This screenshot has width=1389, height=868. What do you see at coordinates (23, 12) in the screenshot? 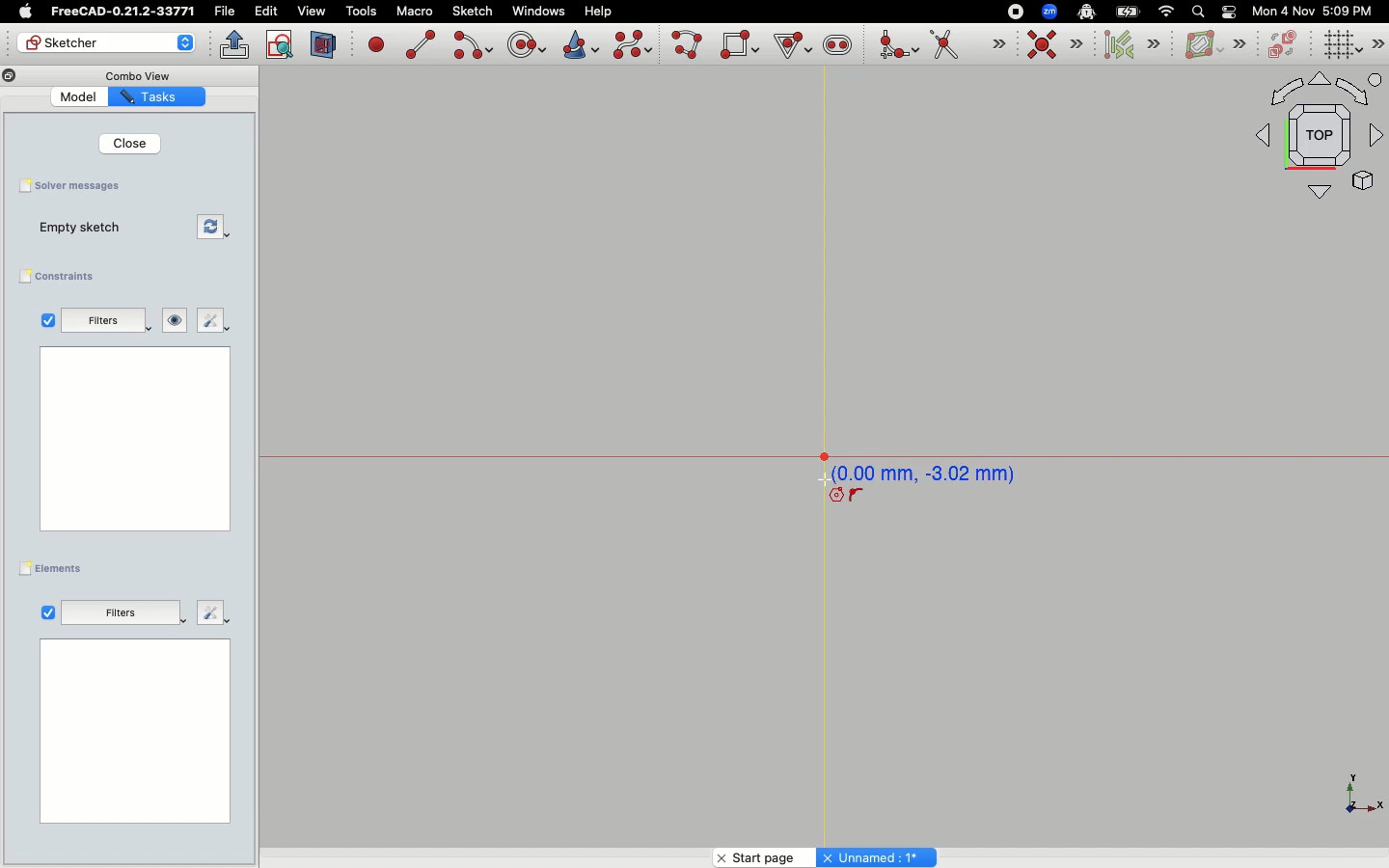
I see `Apple Logo` at bounding box center [23, 12].